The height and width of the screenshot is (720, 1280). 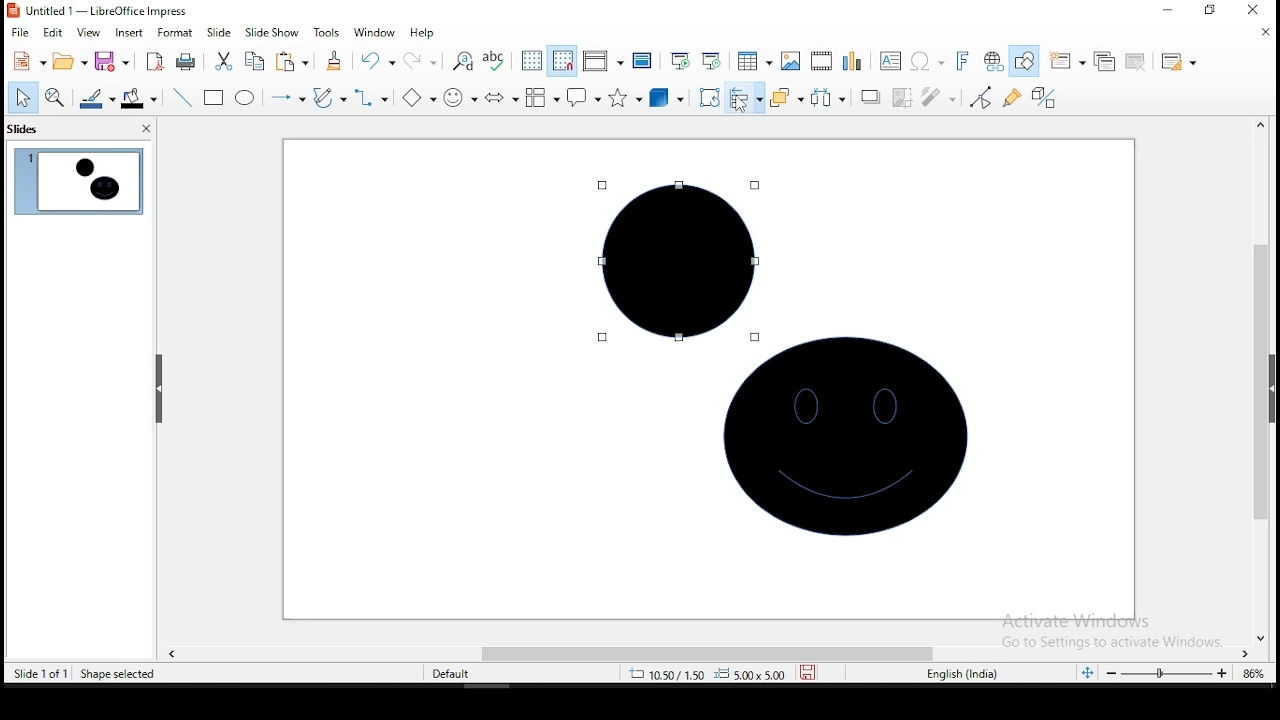 What do you see at coordinates (1178, 63) in the screenshot?
I see ` slide layout` at bounding box center [1178, 63].